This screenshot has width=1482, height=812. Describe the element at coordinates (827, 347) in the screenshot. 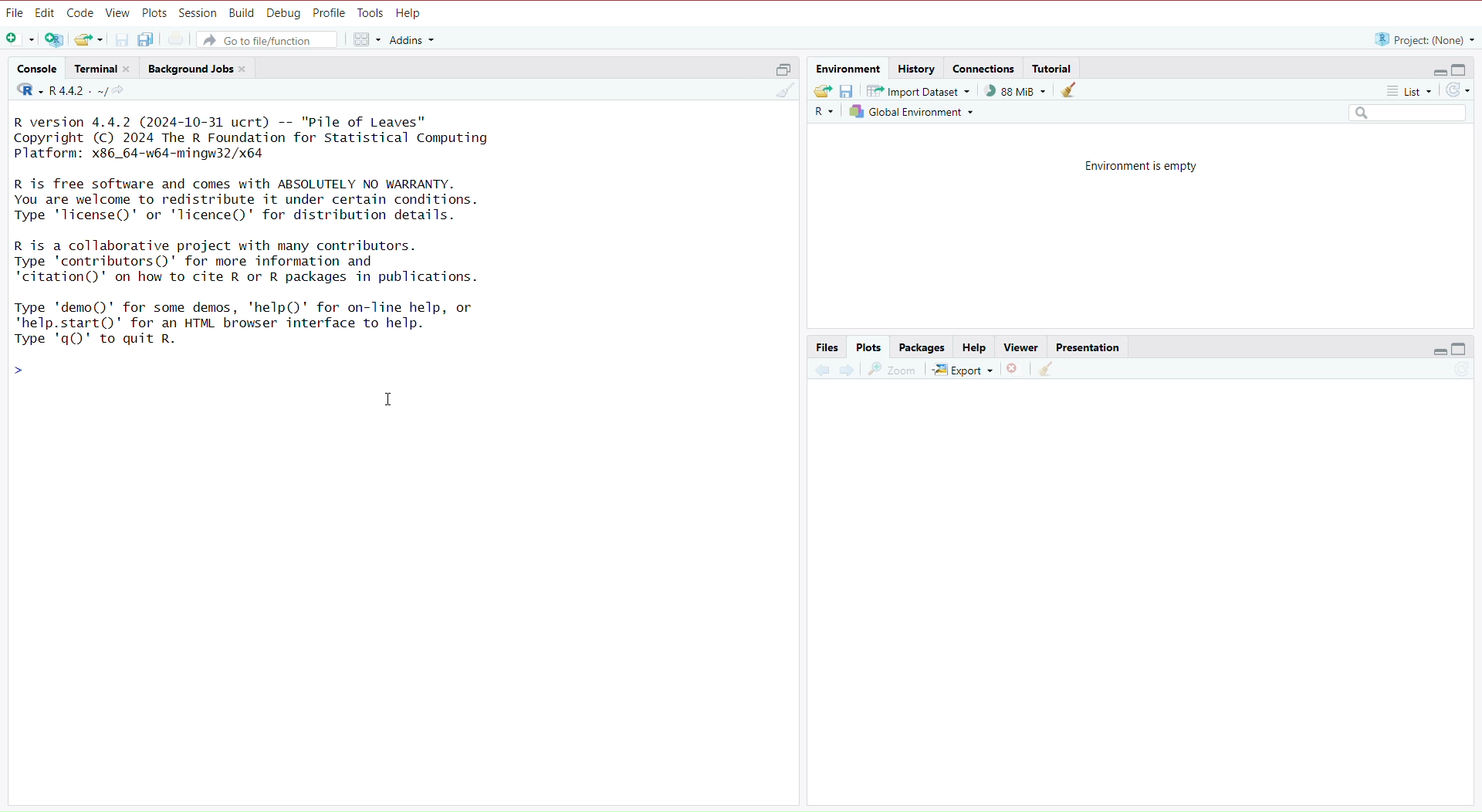

I see `files` at that location.